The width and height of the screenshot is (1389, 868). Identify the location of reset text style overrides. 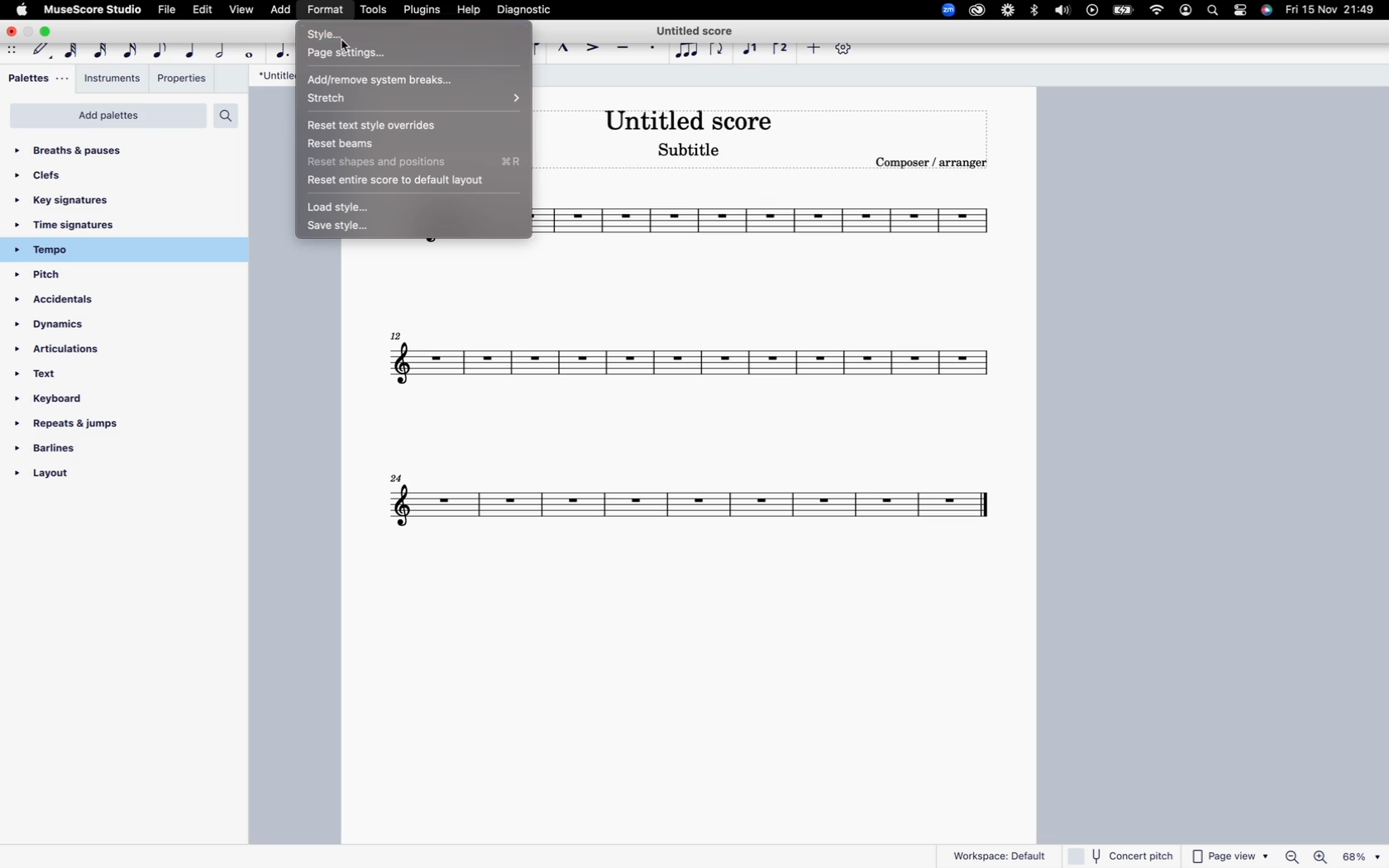
(403, 124).